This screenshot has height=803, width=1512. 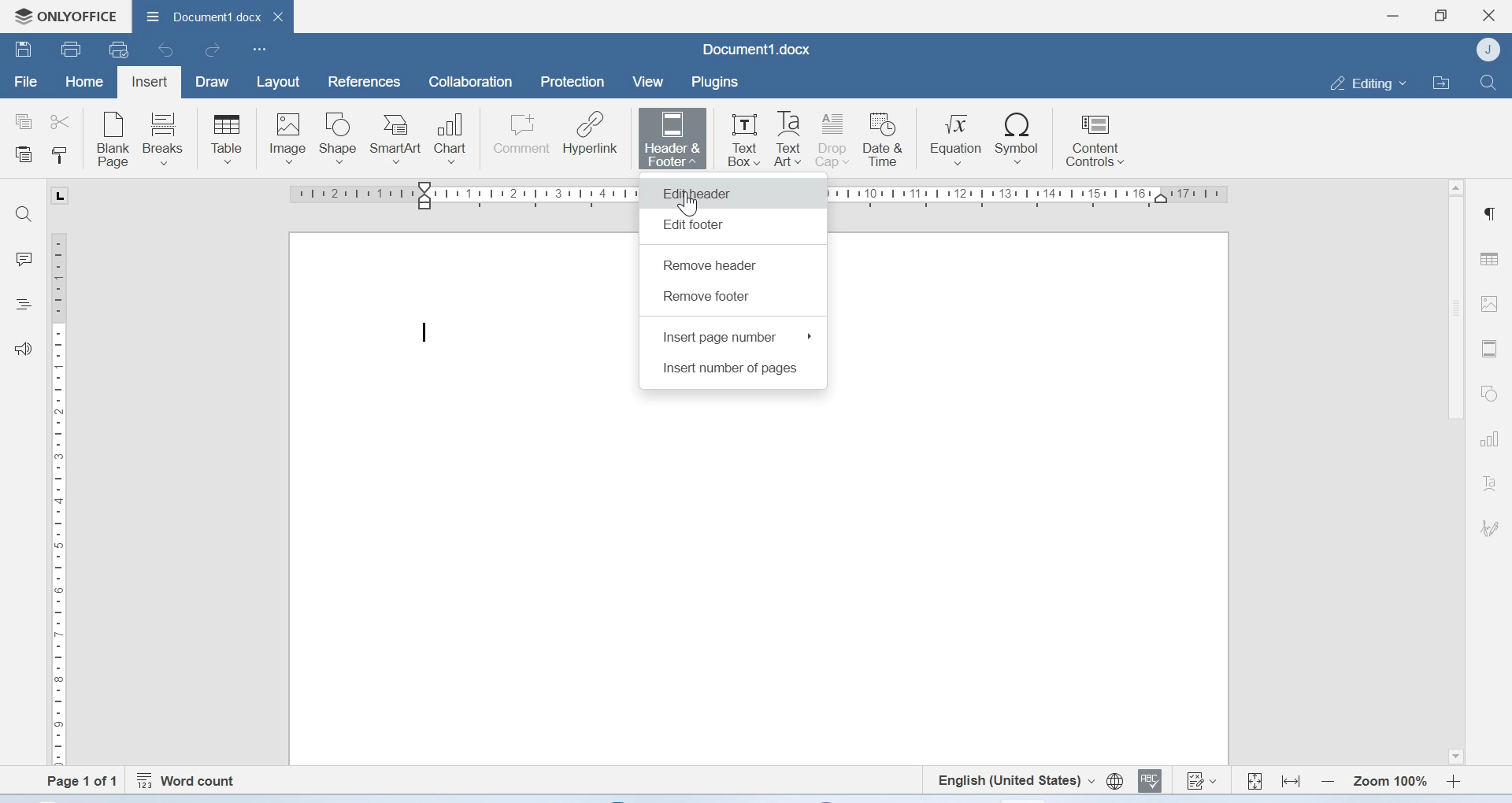 What do you see at coordinates (1364, 82) in the screenshot?
I see `Editing` at bounding box center [1364, 82].